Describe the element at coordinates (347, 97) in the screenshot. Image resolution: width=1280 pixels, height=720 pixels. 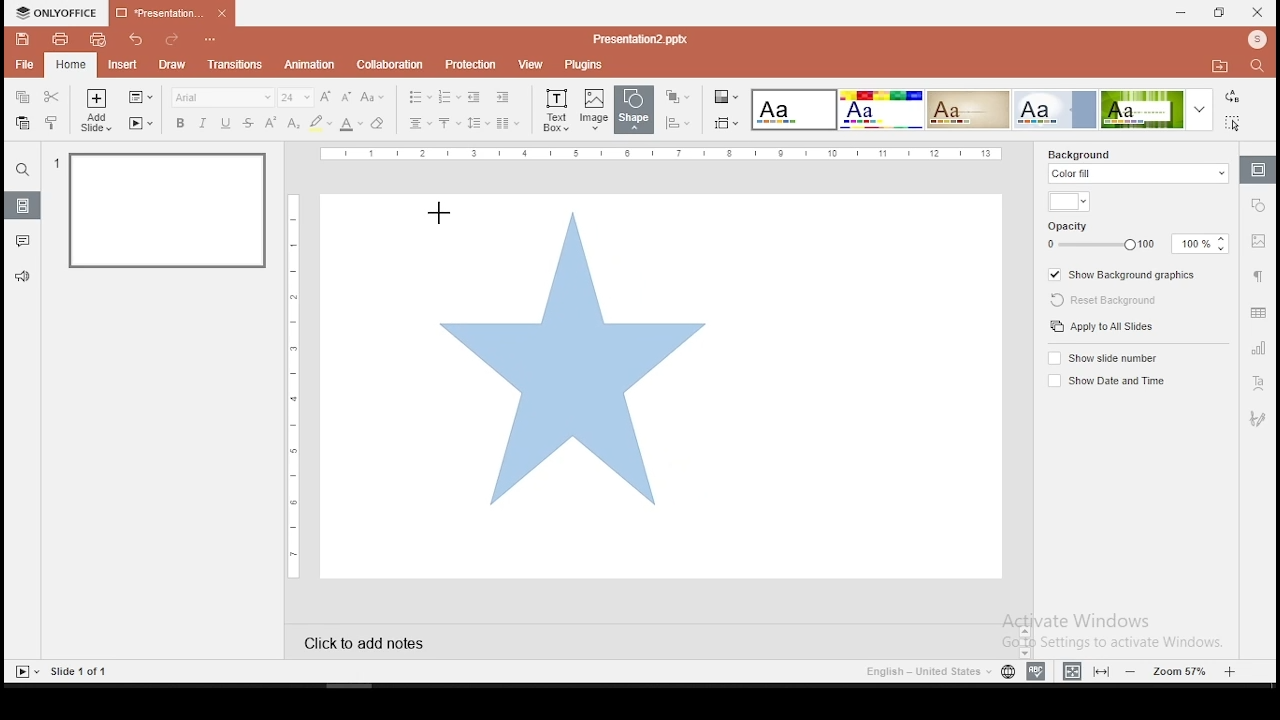
I see `decrease size` at that location.